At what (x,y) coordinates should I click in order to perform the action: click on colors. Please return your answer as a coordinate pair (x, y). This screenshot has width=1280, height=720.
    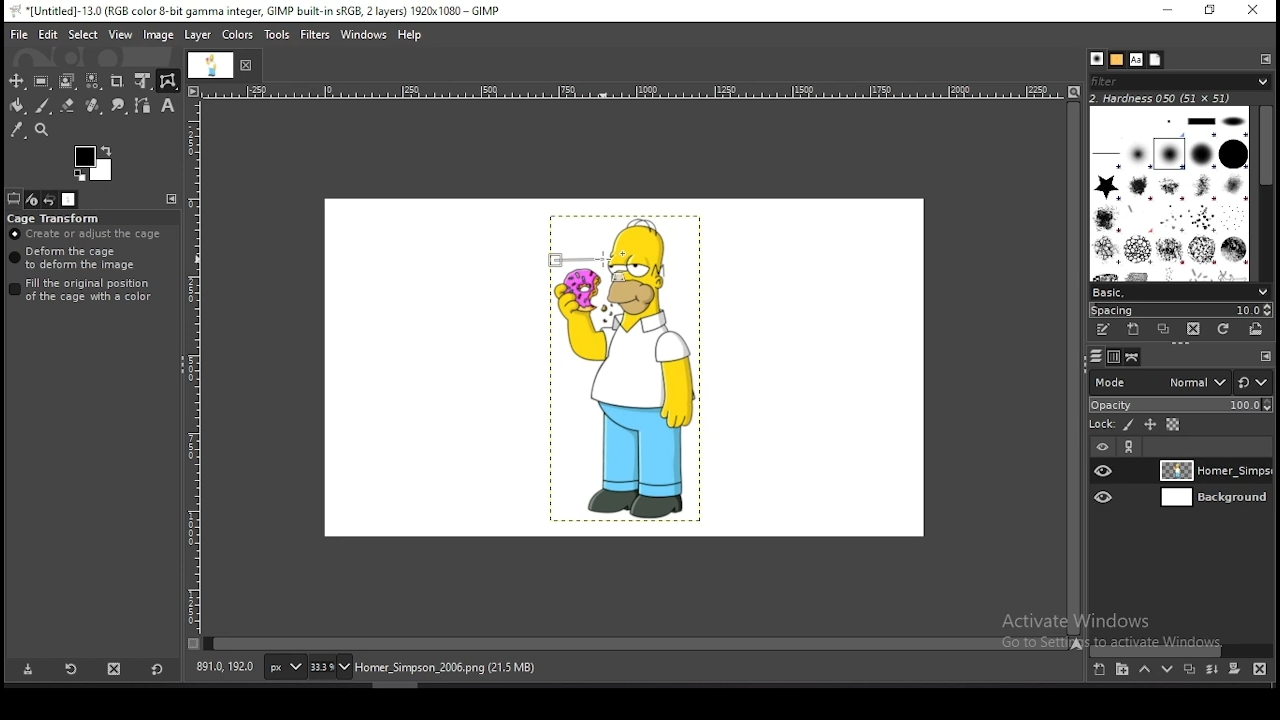
    Looking at the image, I should click on (94, 164).